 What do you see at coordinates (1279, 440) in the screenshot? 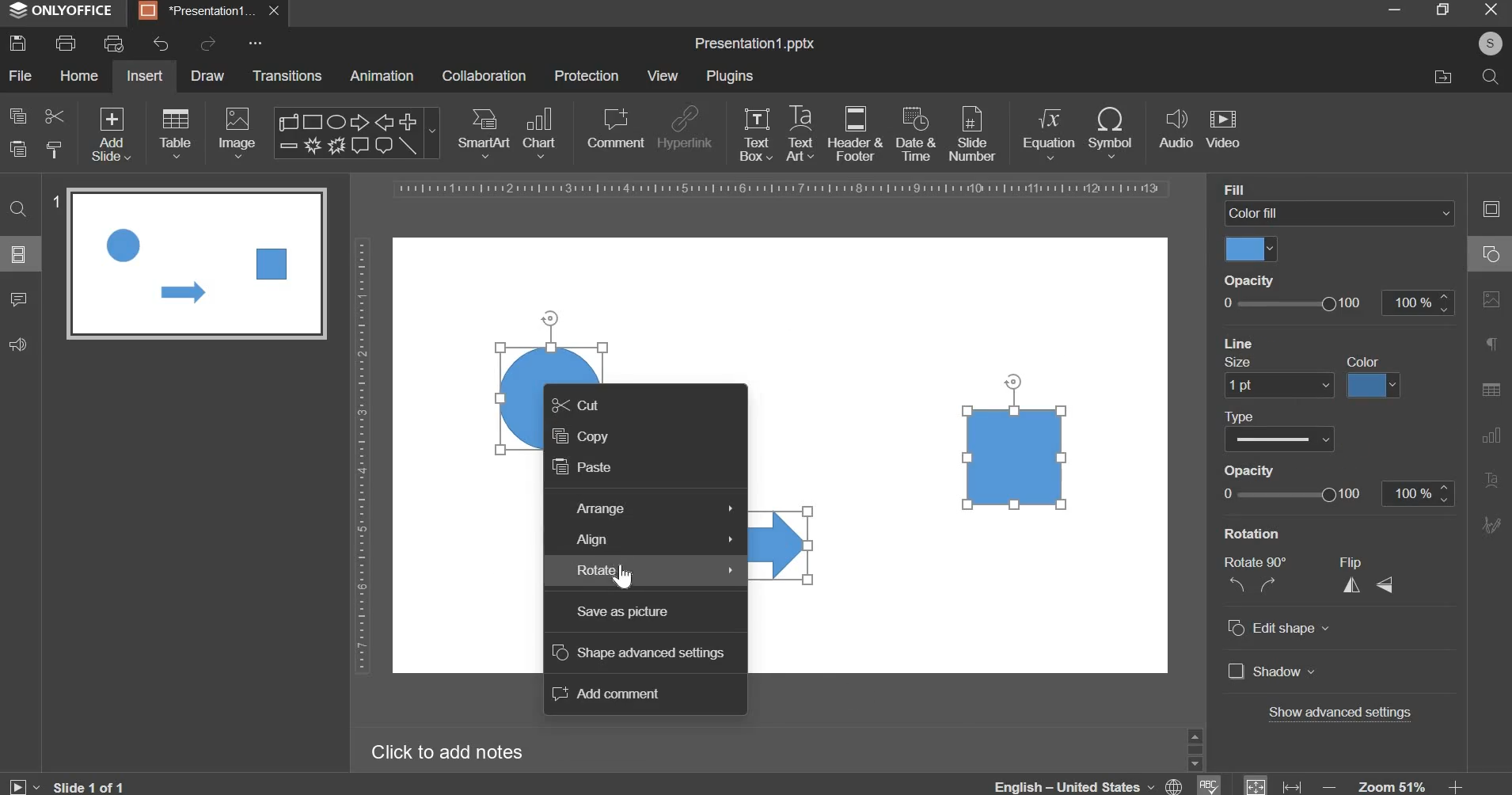
I see `line type` at bounding box center [1279, 440].